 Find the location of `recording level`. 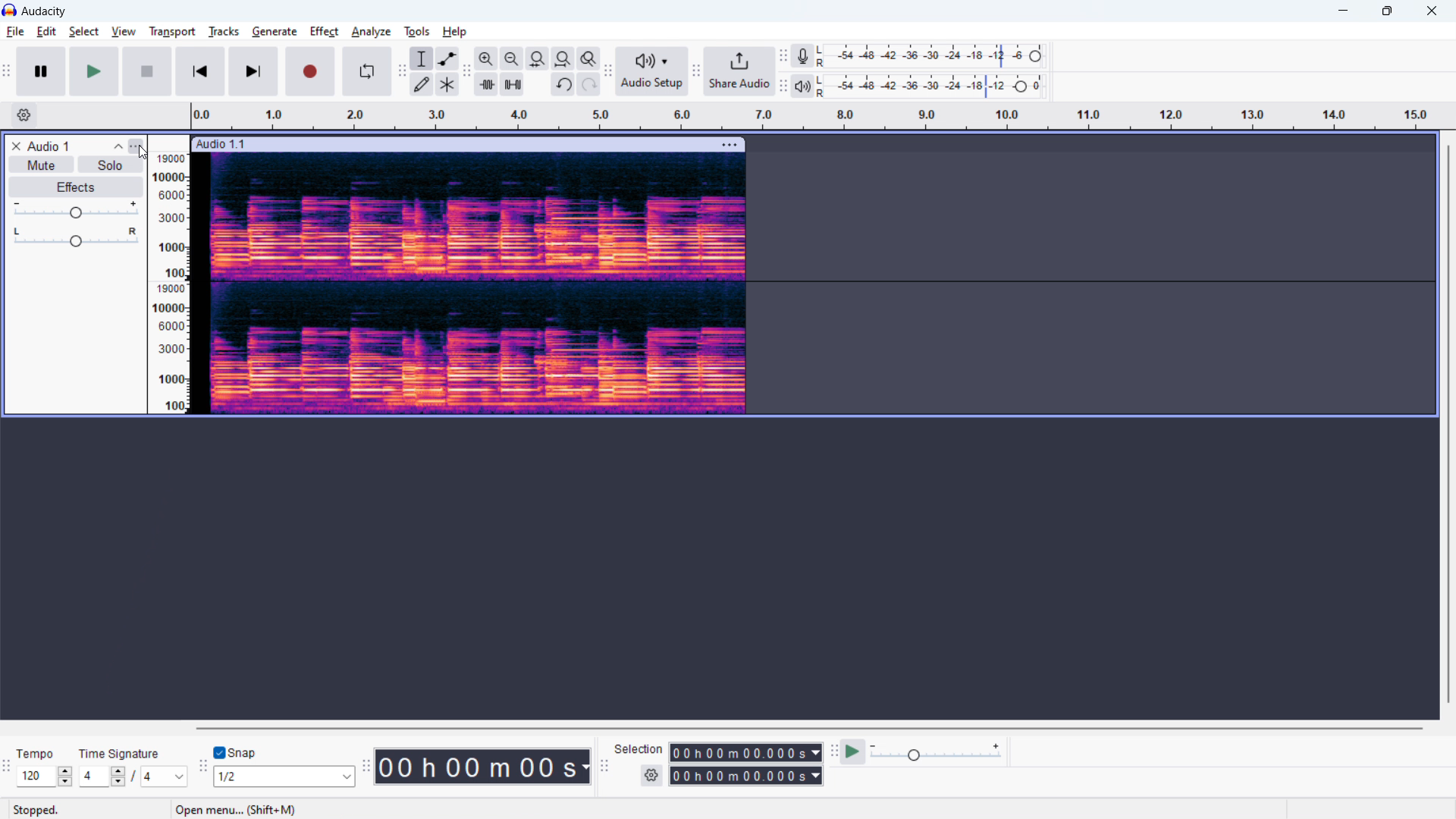

recording level is located at coordinates (935, 56).